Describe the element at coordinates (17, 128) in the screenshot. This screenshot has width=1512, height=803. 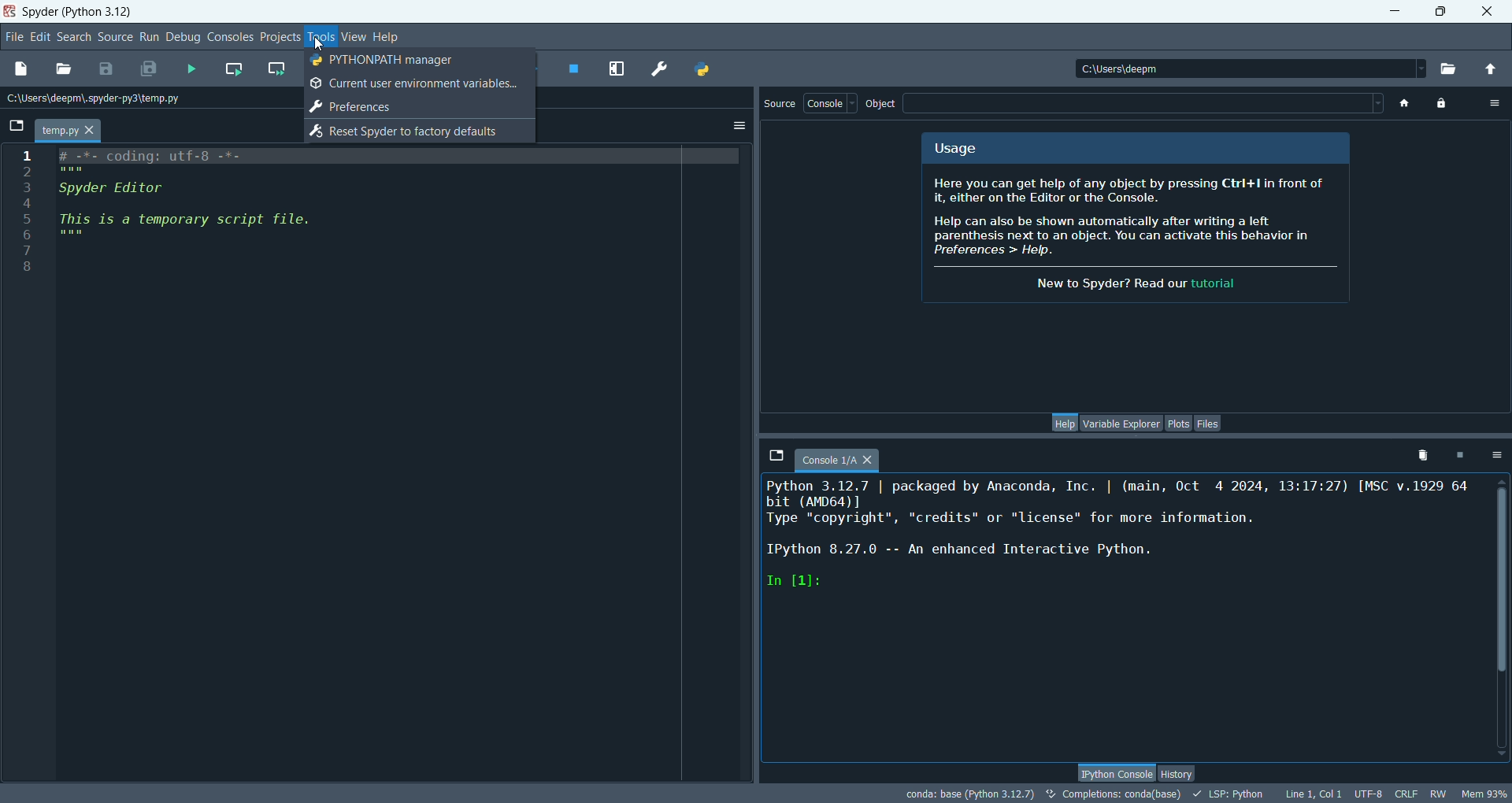
I see `browse tab` at that location.